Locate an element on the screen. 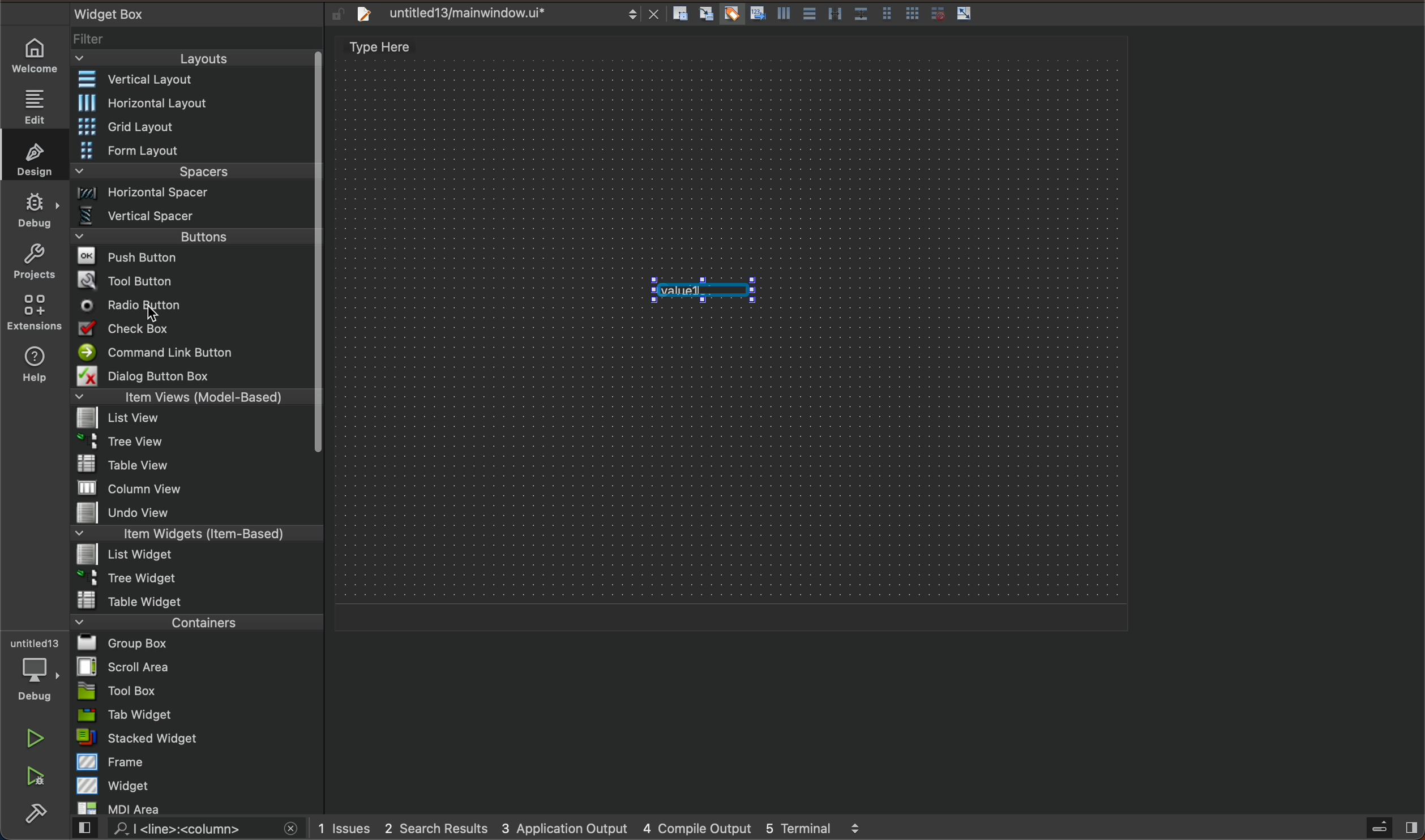  frame is located at coordinates (199, 761).